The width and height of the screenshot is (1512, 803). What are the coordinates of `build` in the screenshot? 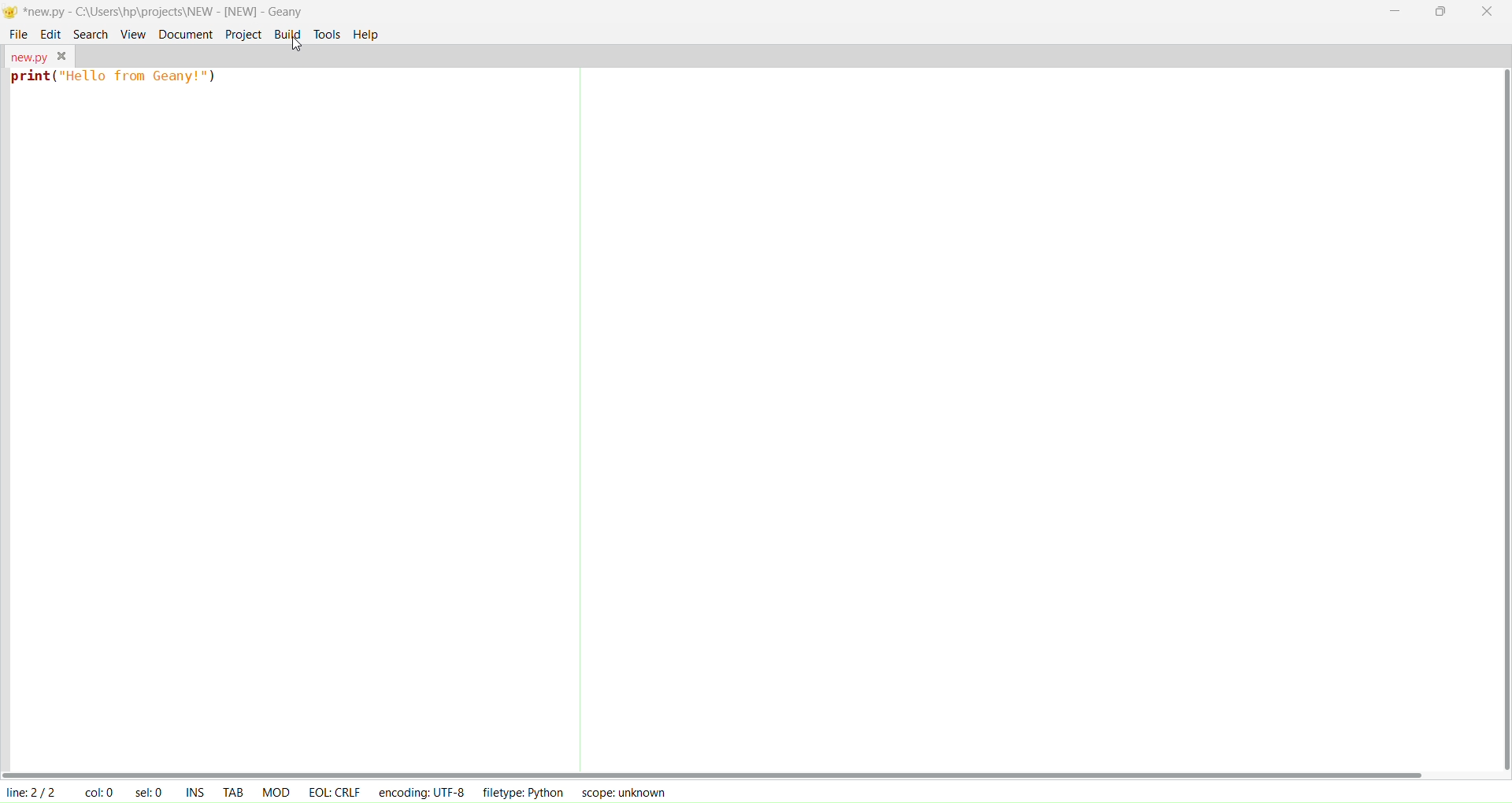 It's located at (287, 34).